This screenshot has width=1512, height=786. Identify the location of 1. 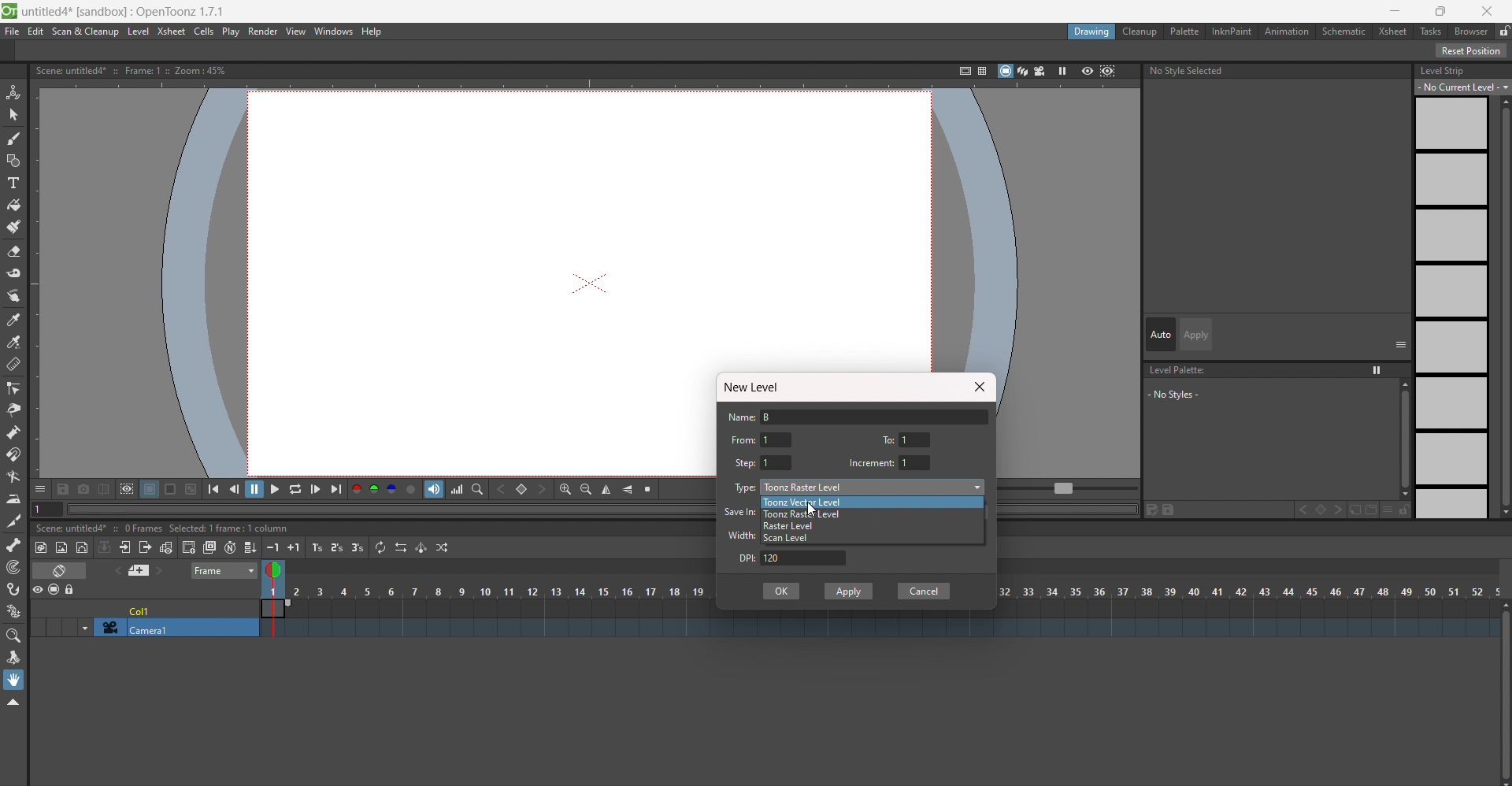
(917, 439).